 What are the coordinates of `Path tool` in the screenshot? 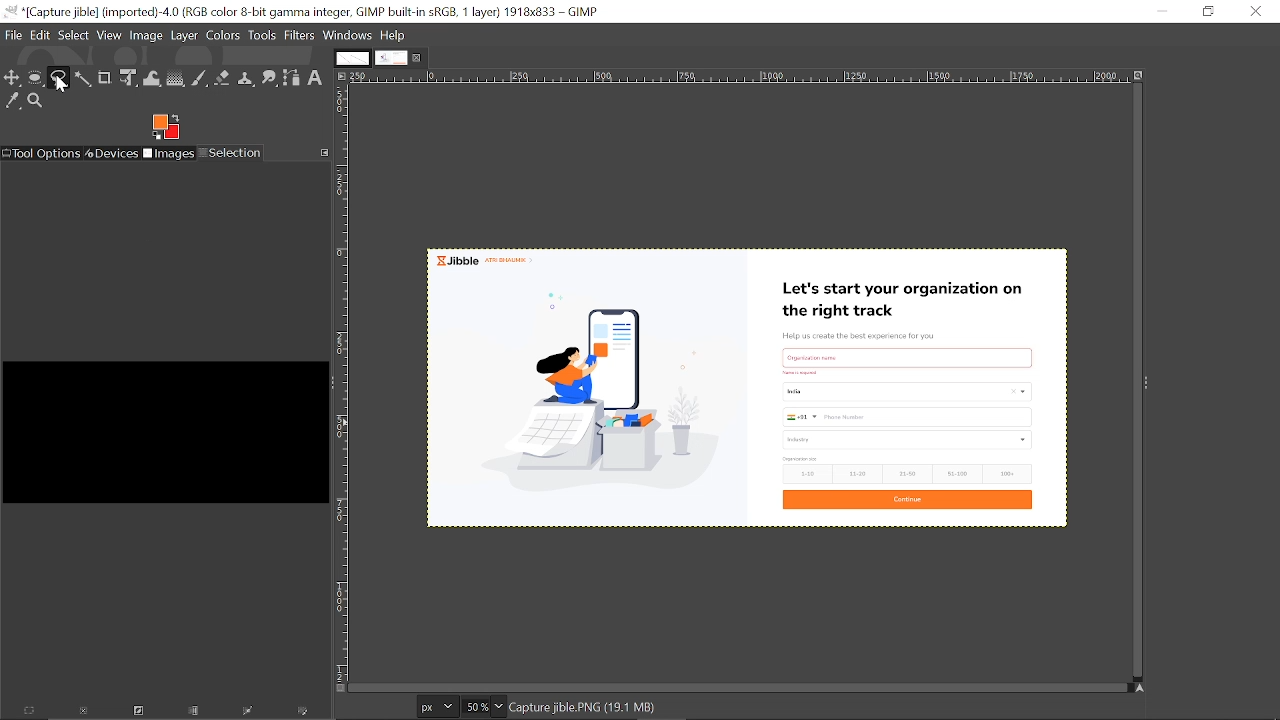 It's located at (293, 78).